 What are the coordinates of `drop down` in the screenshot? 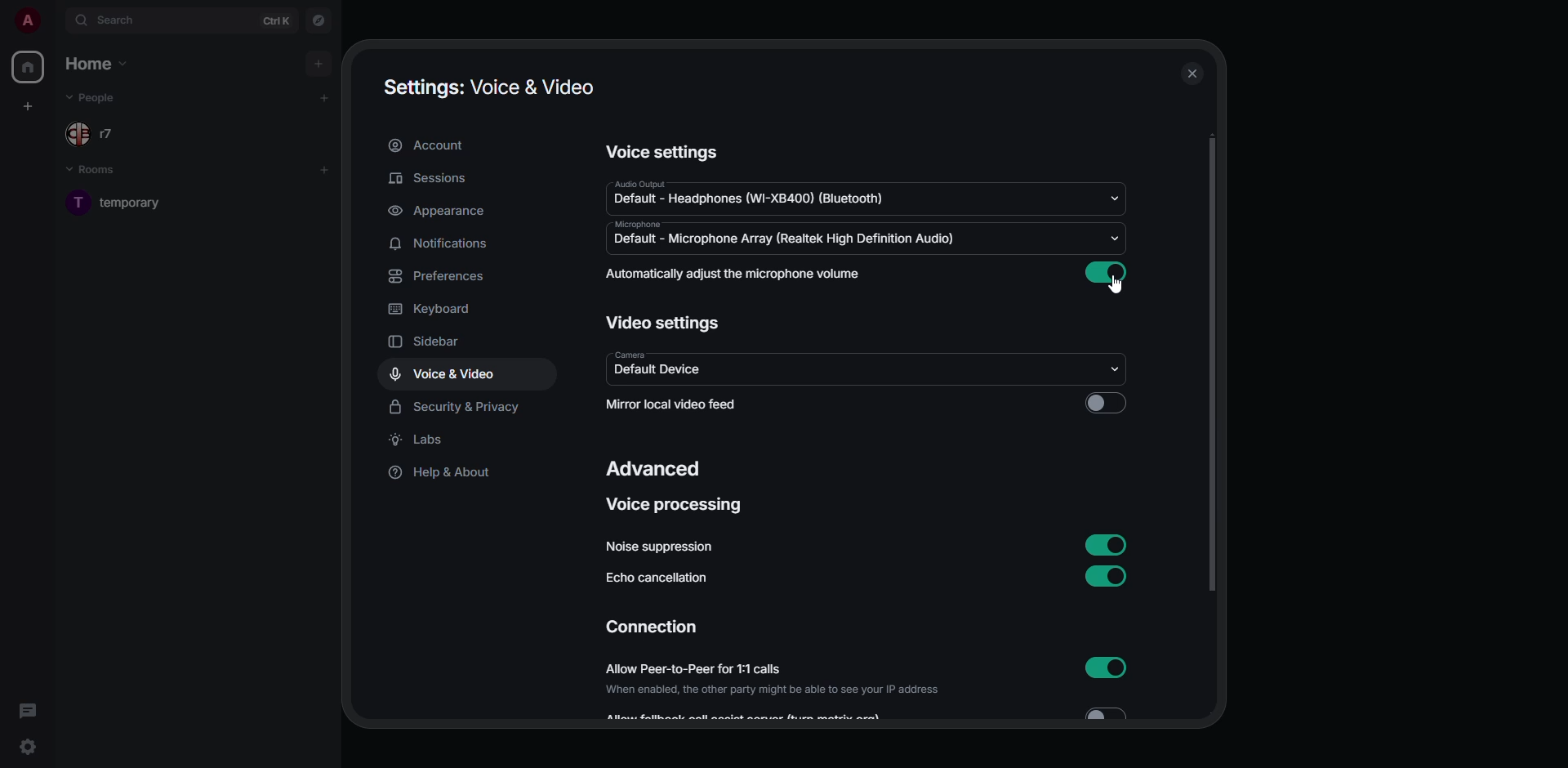 It's located at (1117, 368).